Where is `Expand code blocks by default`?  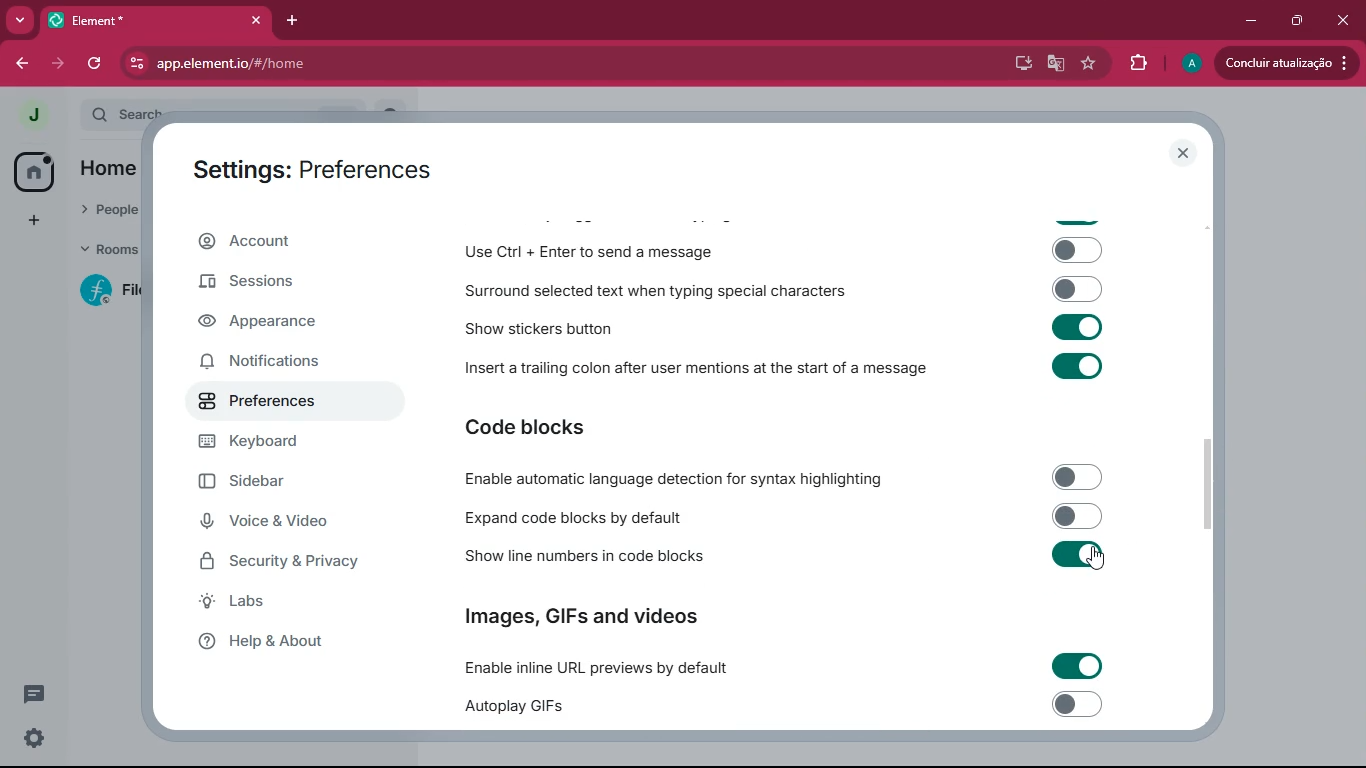
Expand code blocks by default is located at coordinates (779, 516).